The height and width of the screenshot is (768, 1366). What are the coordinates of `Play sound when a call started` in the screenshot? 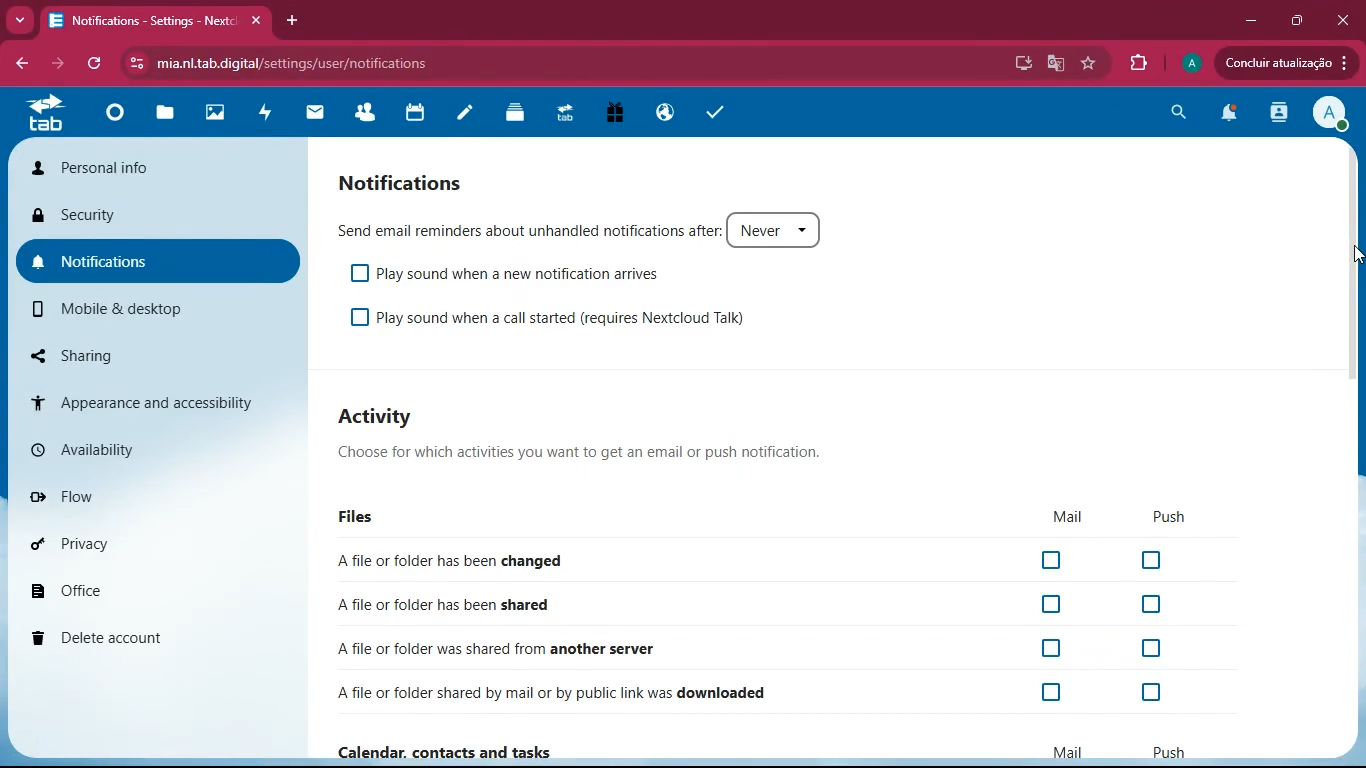 It's located at (560, 322).